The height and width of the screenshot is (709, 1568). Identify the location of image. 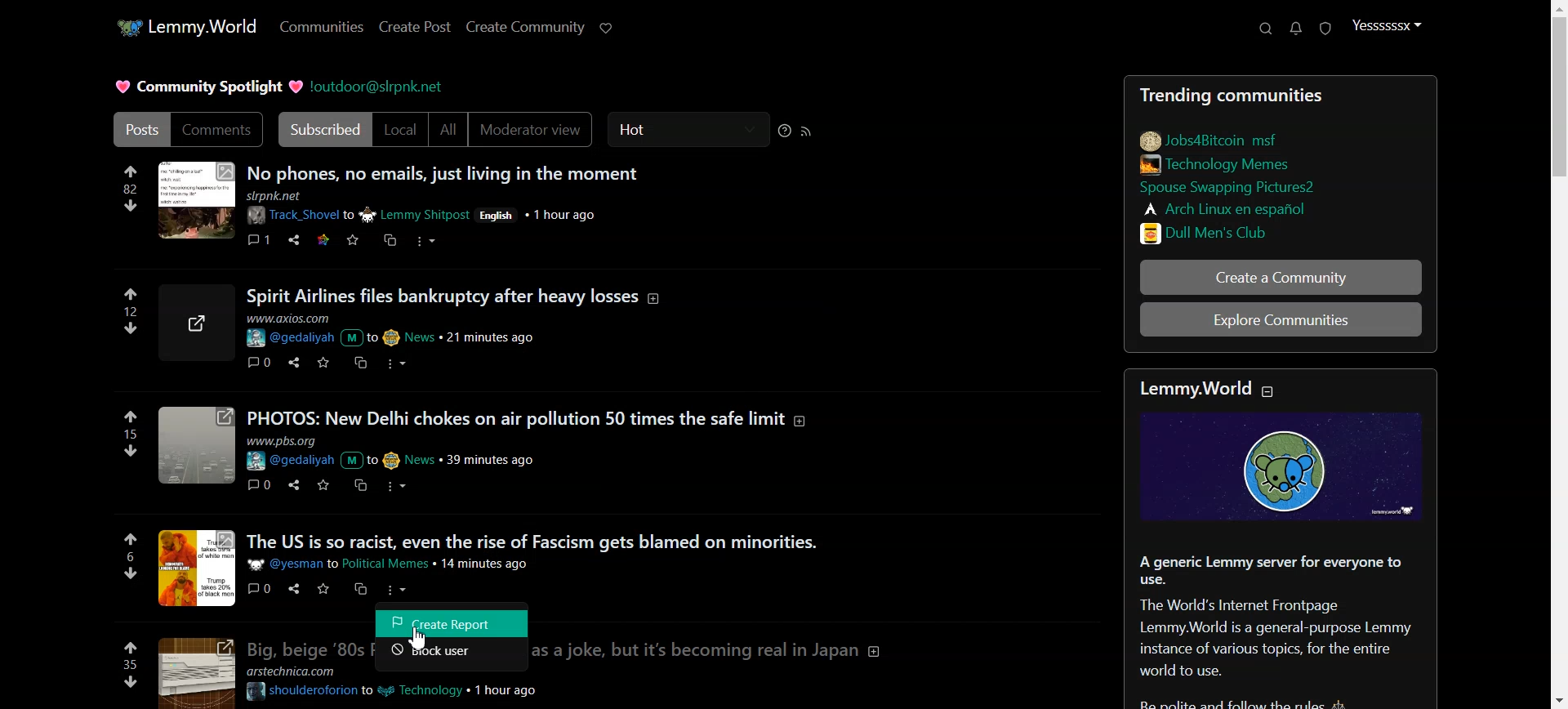
(1288, 468).